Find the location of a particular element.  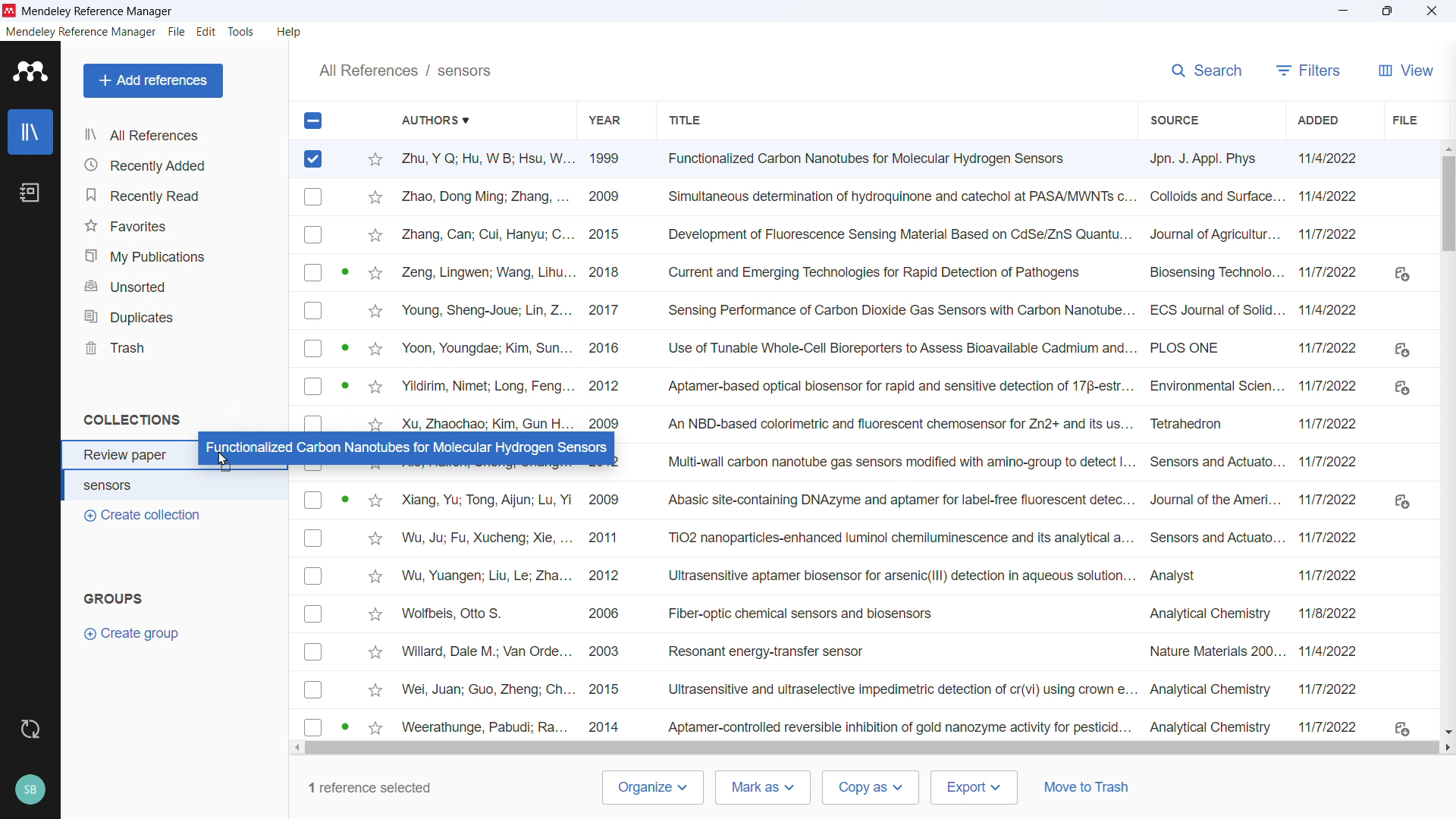

 help  is located at coordinates (289, 32).